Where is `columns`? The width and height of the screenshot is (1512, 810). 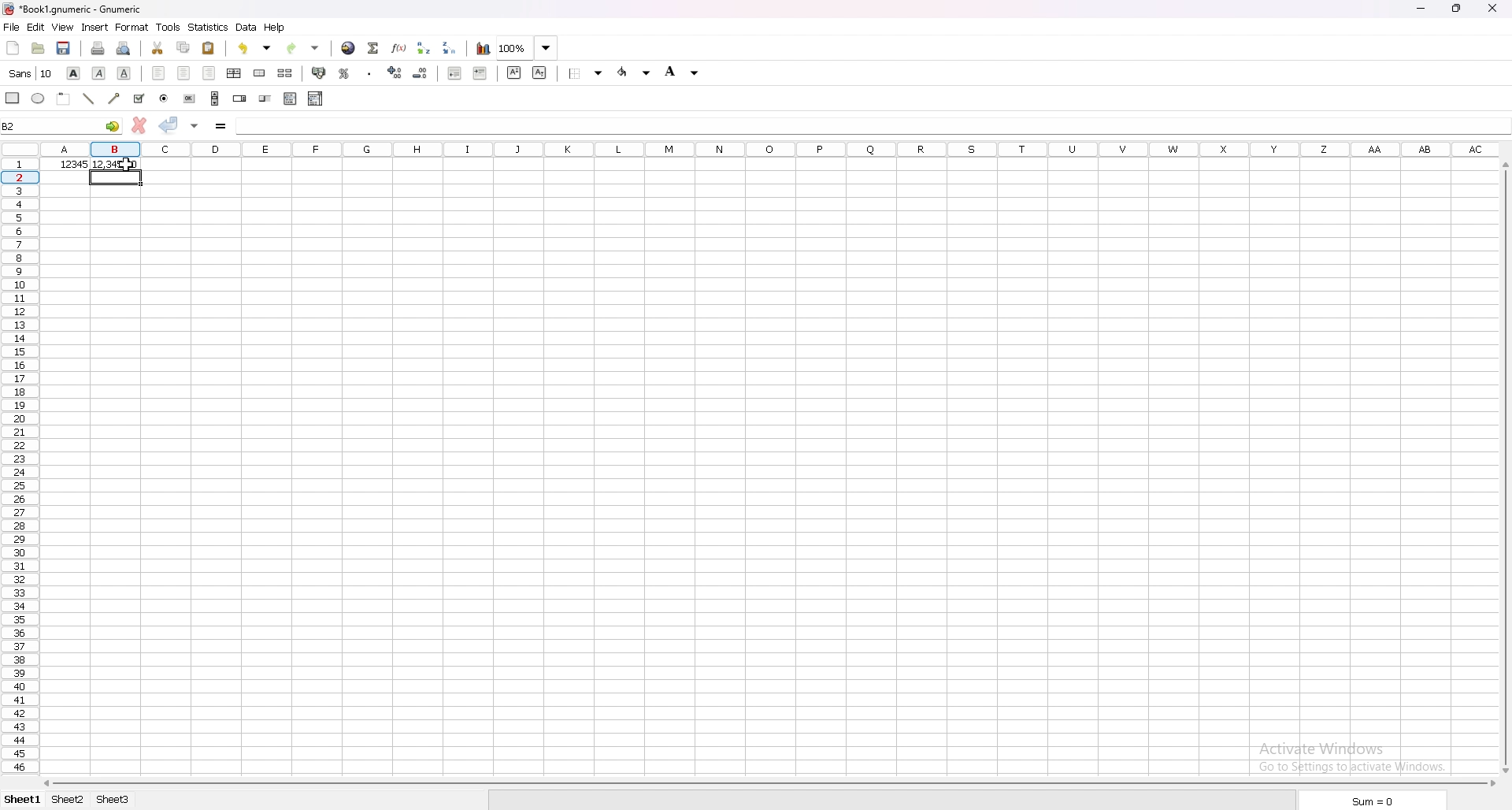
columns is located at coordinates (771, 147).